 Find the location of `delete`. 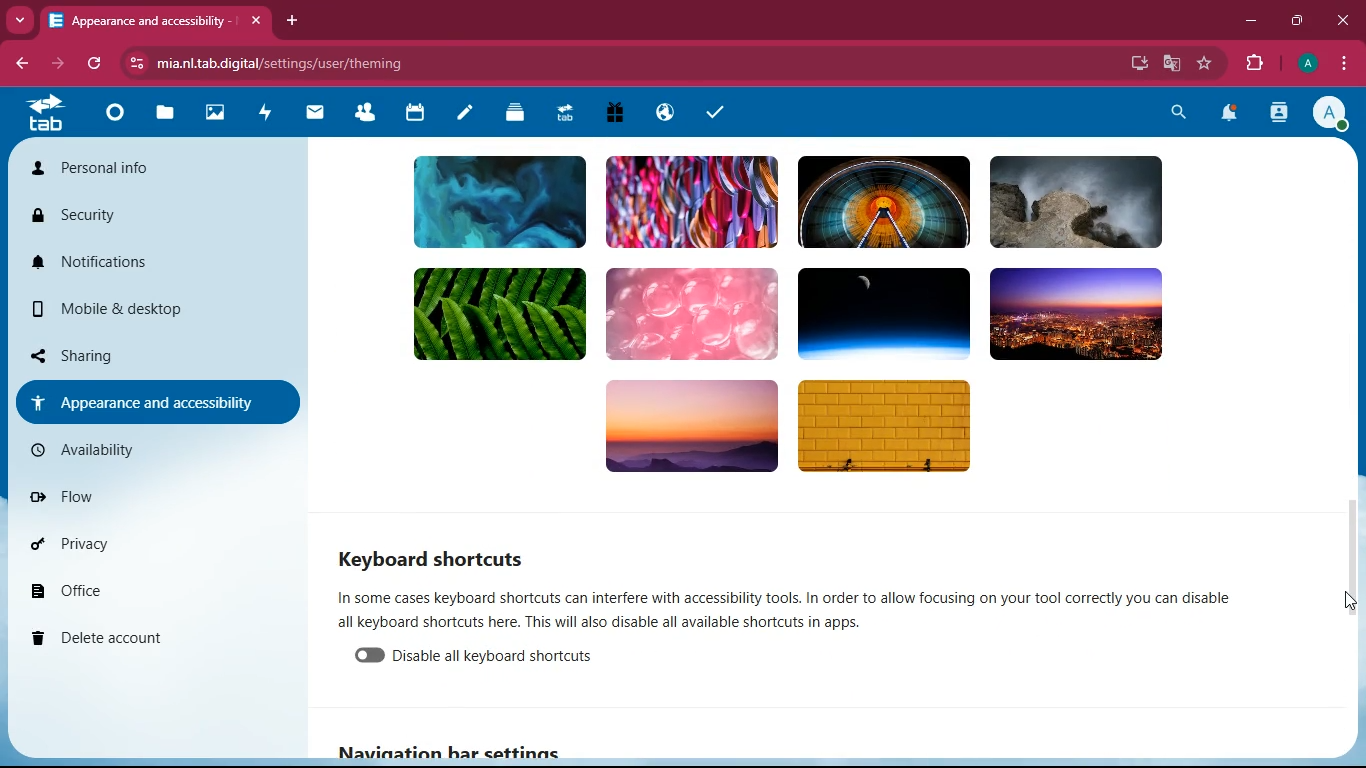

delete is located at coordinates (161, 641).